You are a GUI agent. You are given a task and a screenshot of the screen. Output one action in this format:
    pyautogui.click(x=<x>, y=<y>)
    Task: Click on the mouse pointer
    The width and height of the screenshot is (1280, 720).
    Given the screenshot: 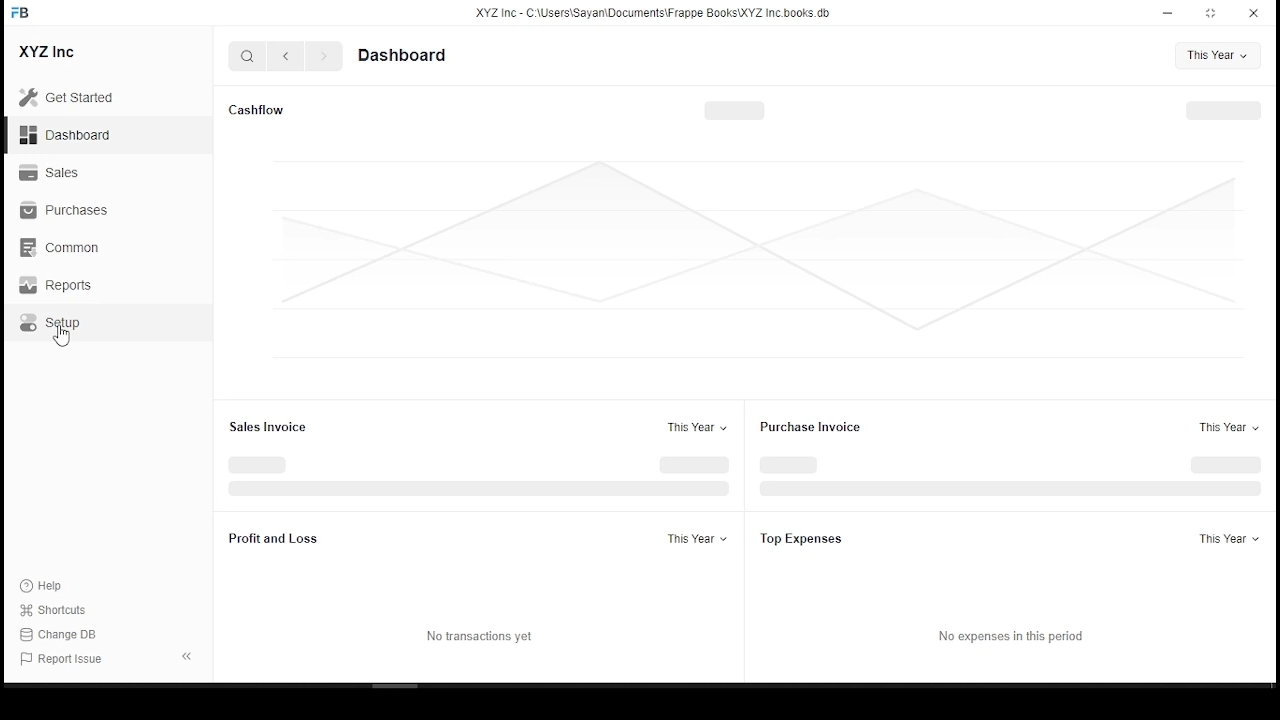 What is the action you would take?
    pyautogui.click(x=63, y=341)
    